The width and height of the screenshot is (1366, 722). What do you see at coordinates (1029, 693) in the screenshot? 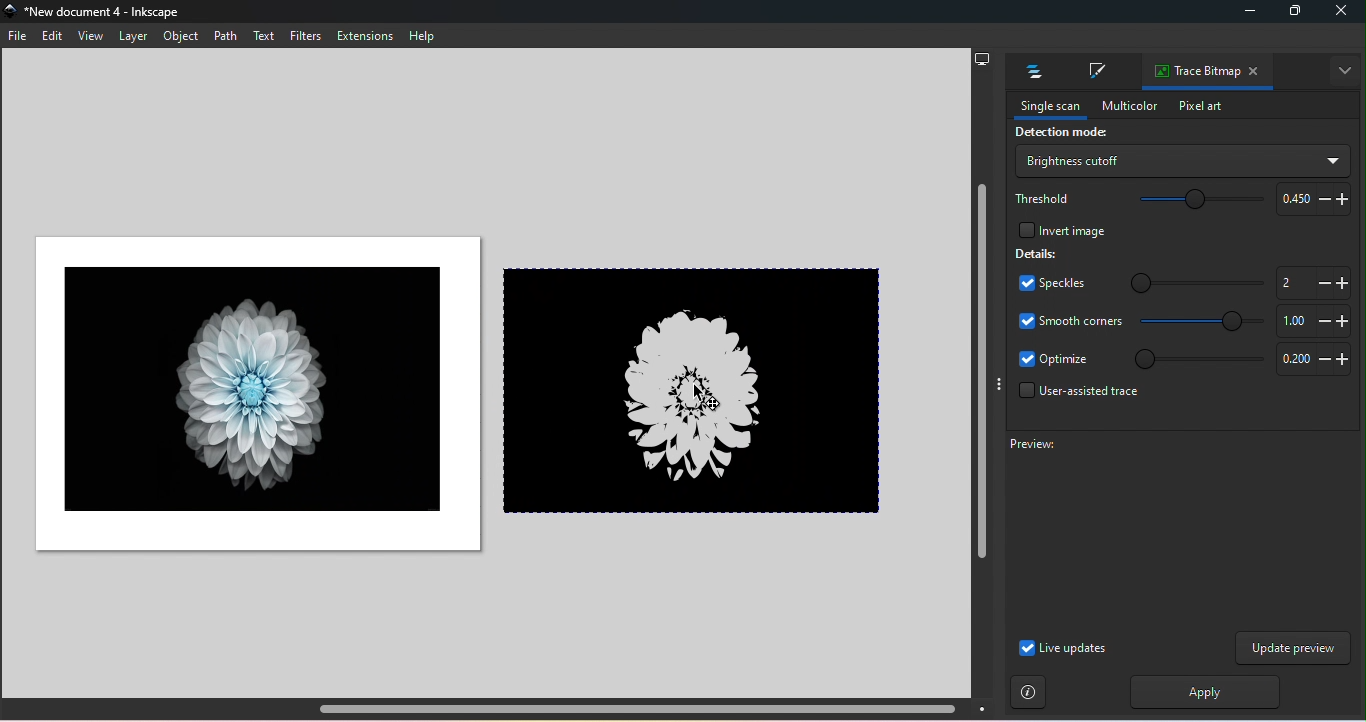
I see `Instructions` at bounding box center [1029, 693].